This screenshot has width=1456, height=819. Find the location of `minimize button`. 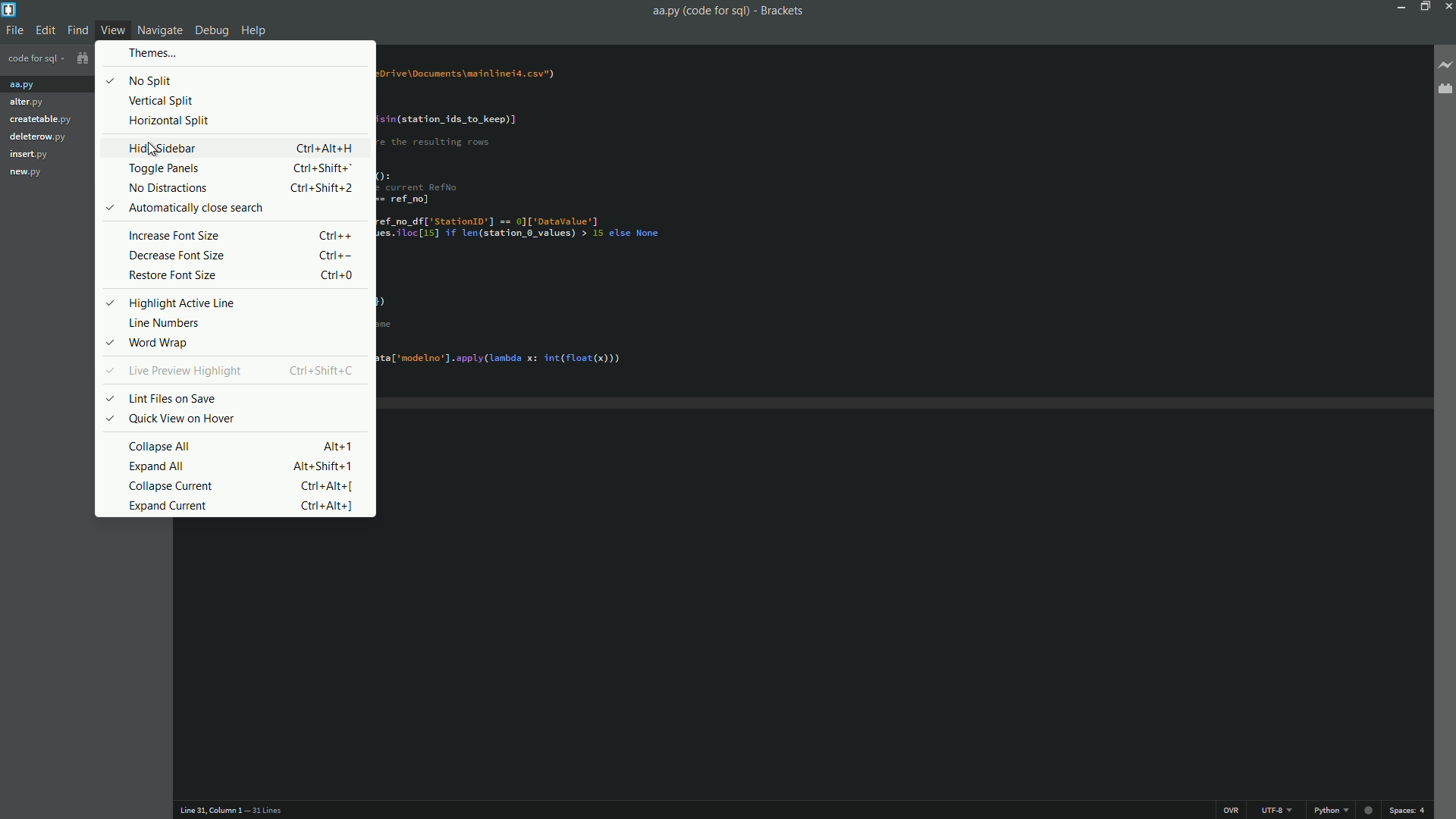

minimize button is located at coordinates (1396, 7).